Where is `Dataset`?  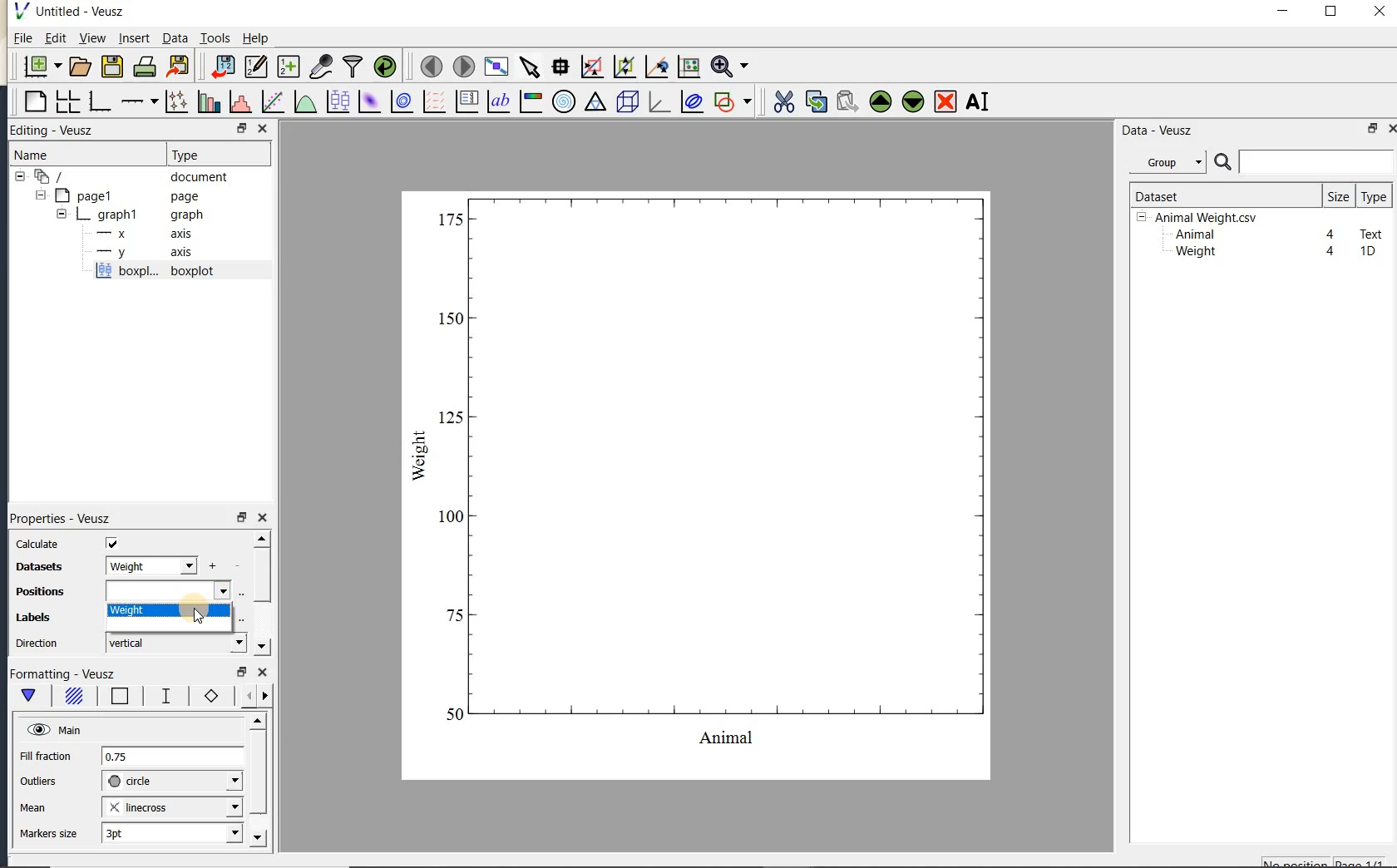
Dataset is located at coordinates (1218, 195).